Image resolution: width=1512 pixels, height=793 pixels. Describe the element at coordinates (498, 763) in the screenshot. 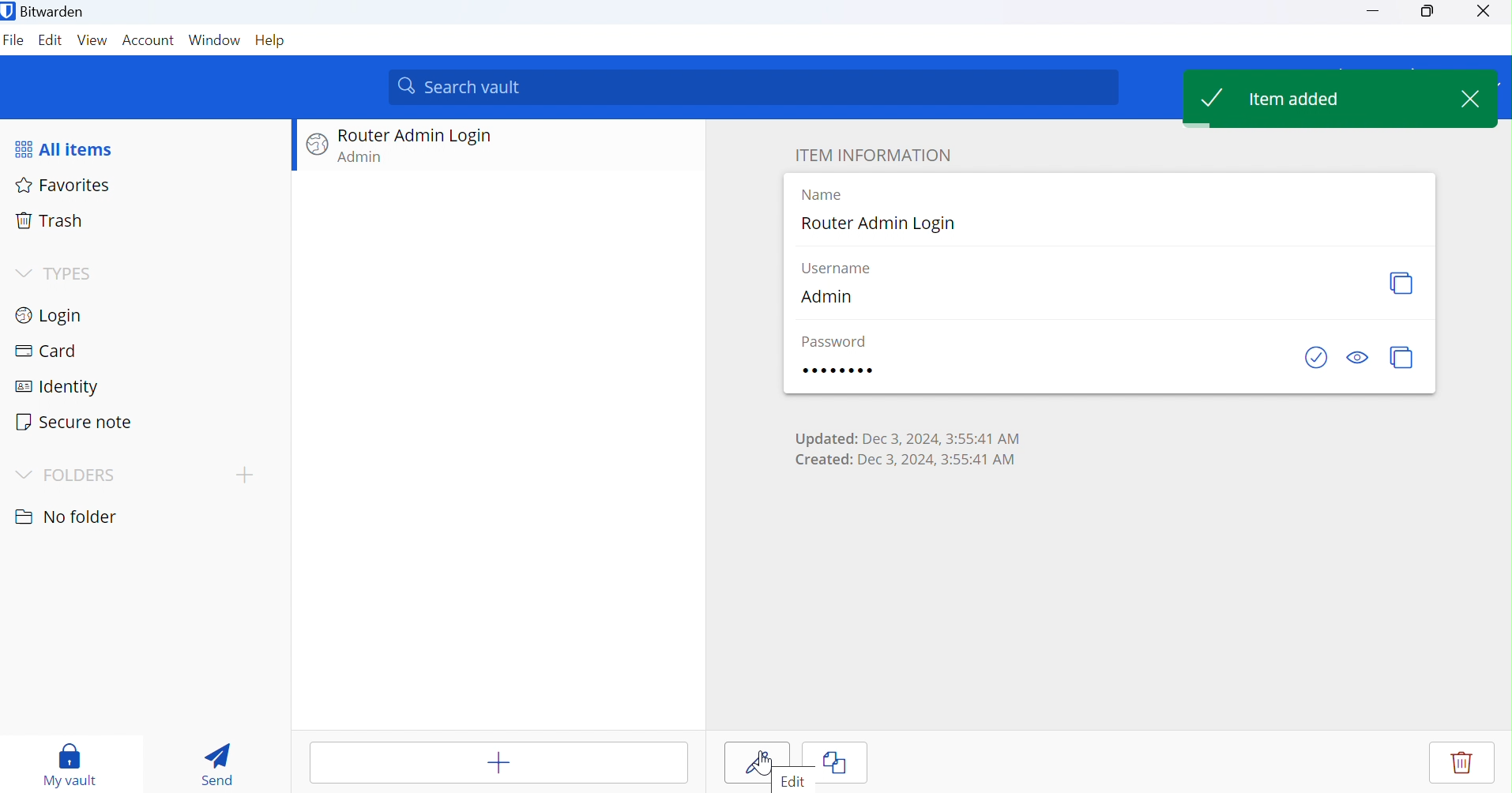

I see `add items` at that location.